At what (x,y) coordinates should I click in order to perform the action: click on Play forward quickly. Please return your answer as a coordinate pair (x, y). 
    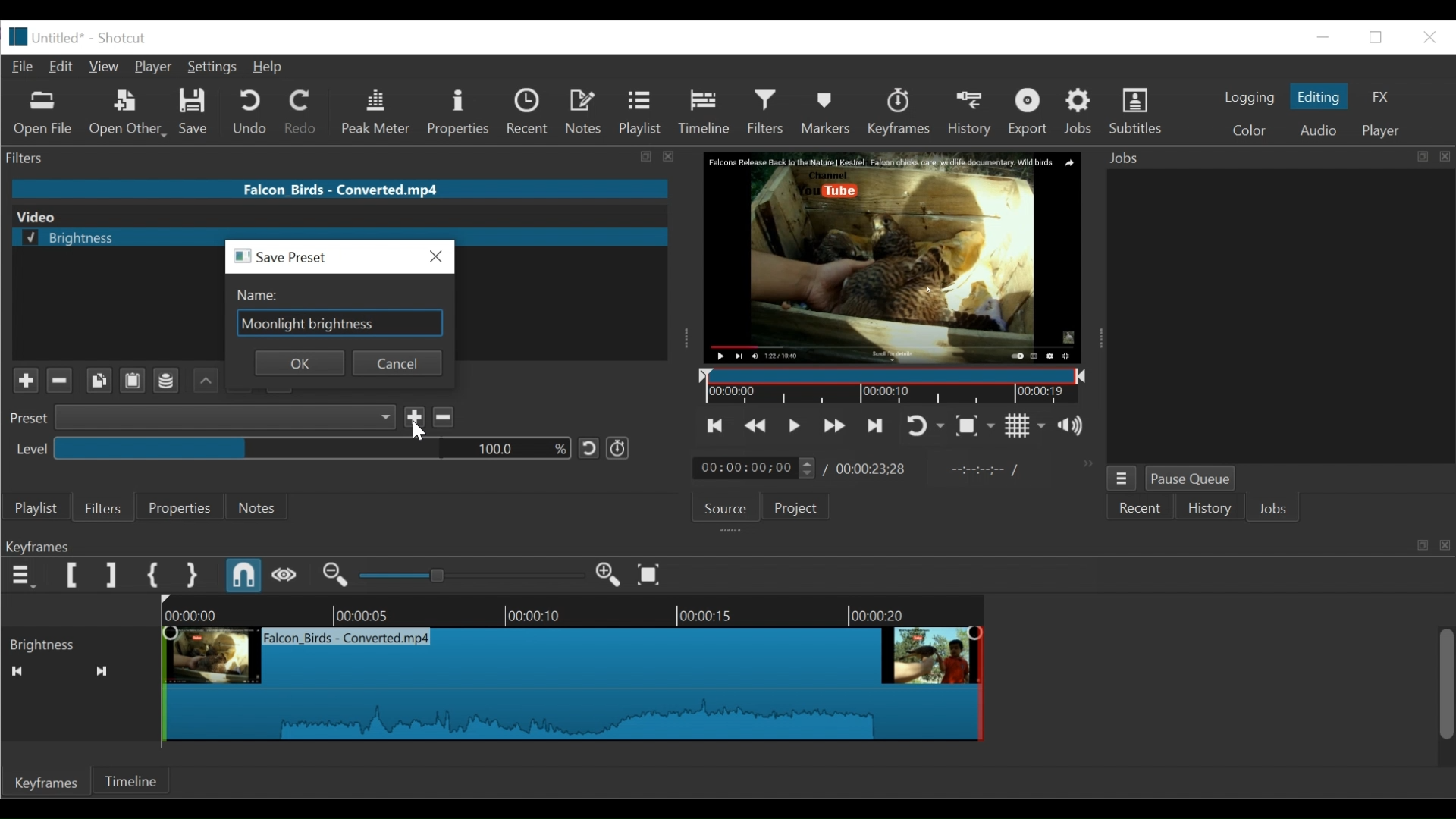
    Looking at the image, I should click on (831, 426).